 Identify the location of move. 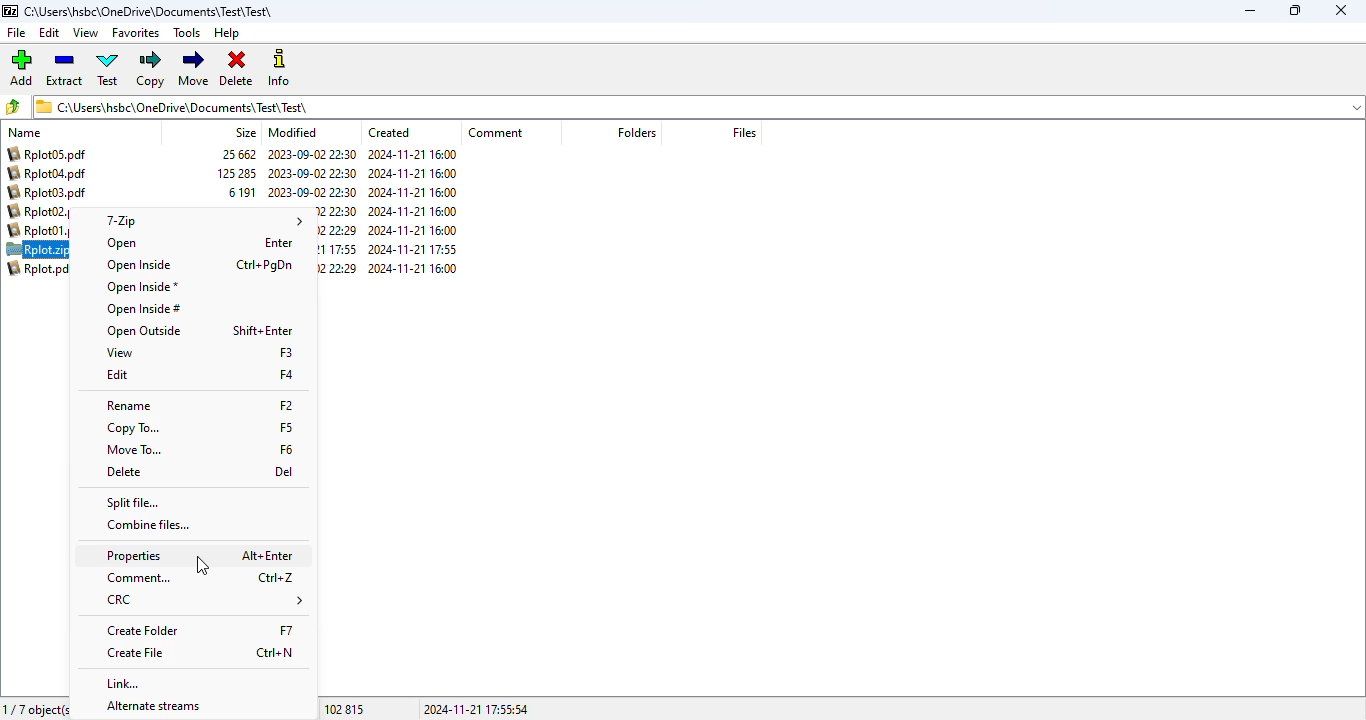
(194, 67).